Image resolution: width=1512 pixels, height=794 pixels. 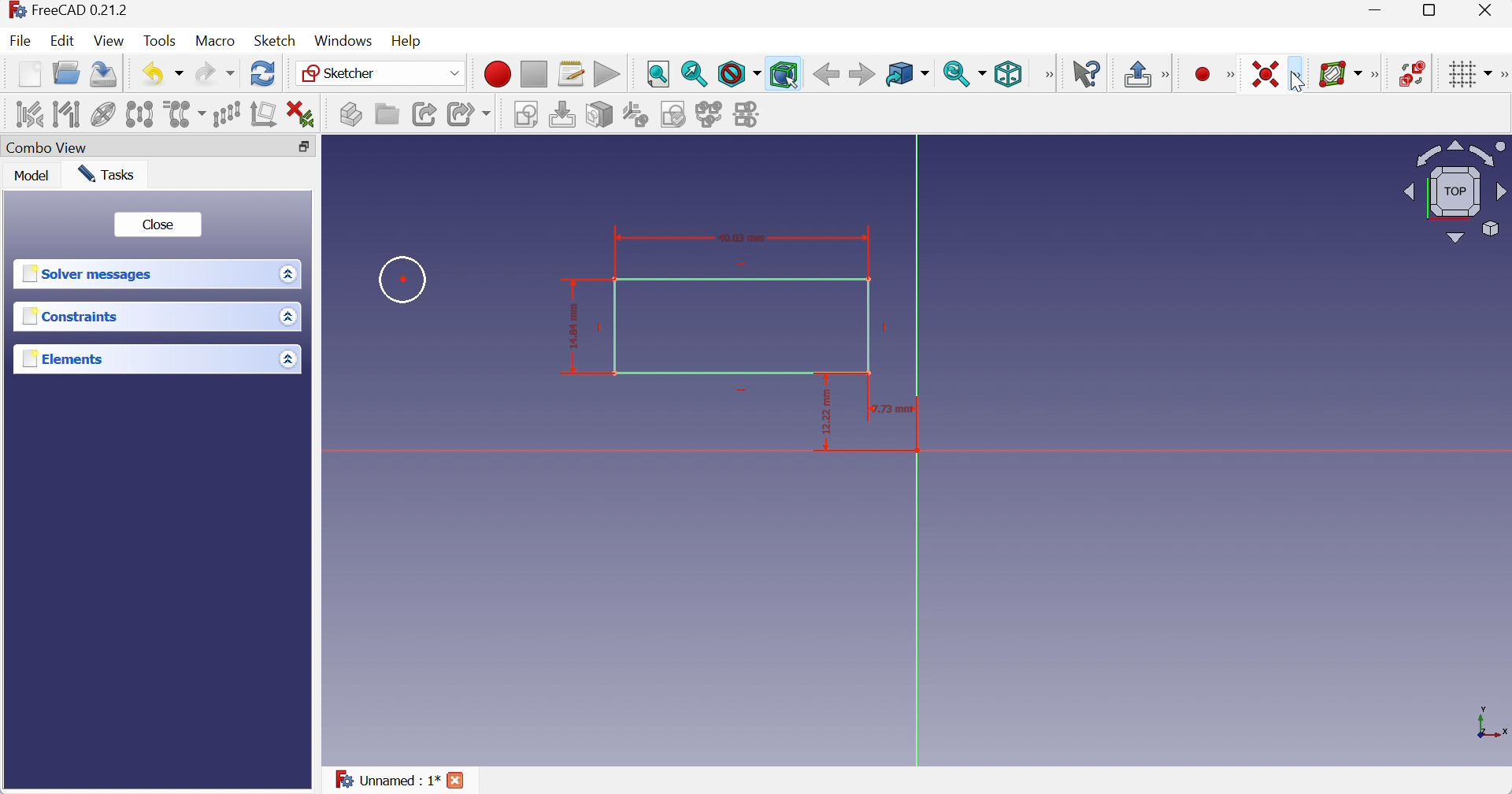 I want to click on Validate sketch, so click(x=675, y=114).